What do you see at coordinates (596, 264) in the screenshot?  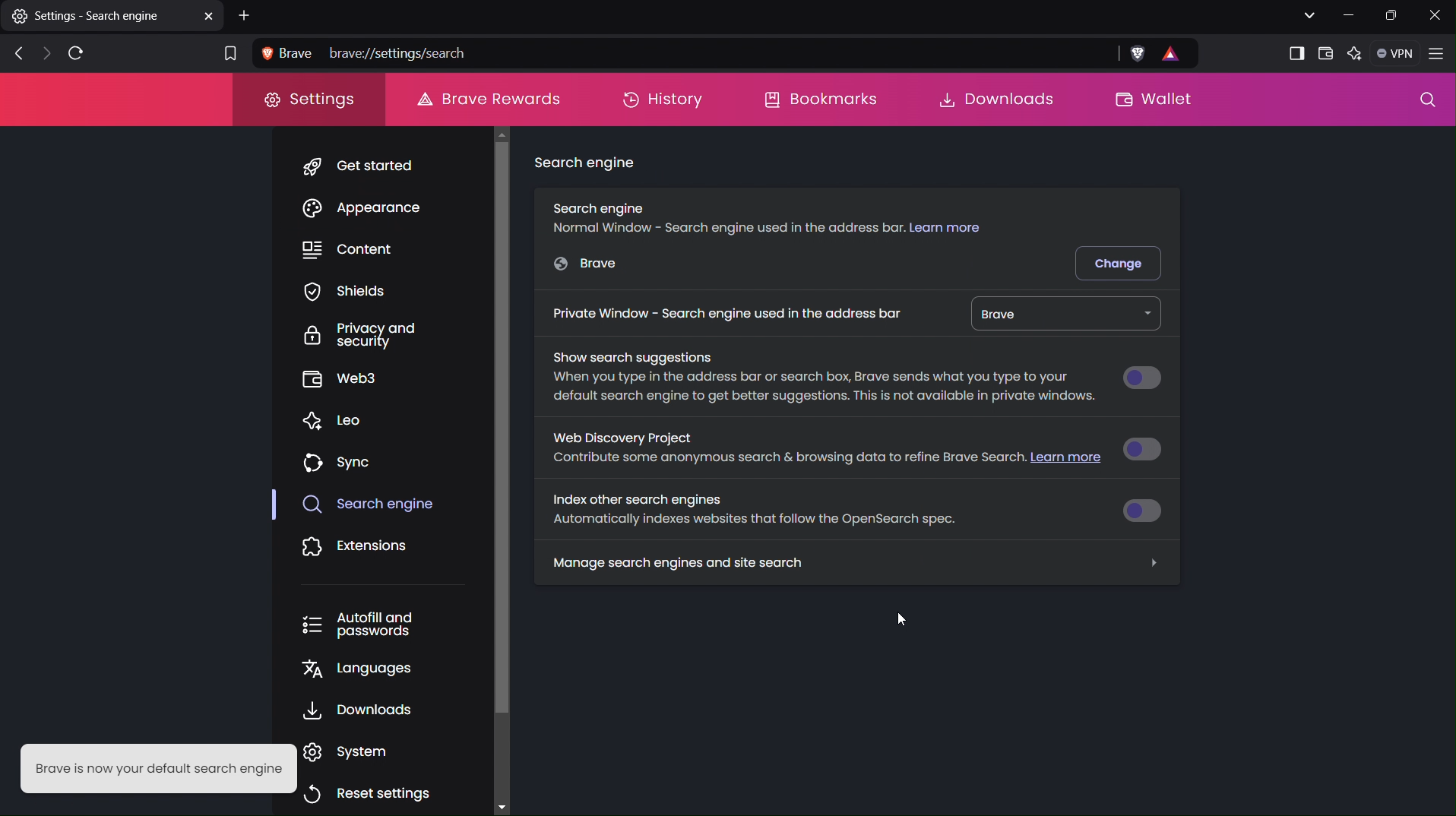 I see `Google` at bounding box center [596, 264].